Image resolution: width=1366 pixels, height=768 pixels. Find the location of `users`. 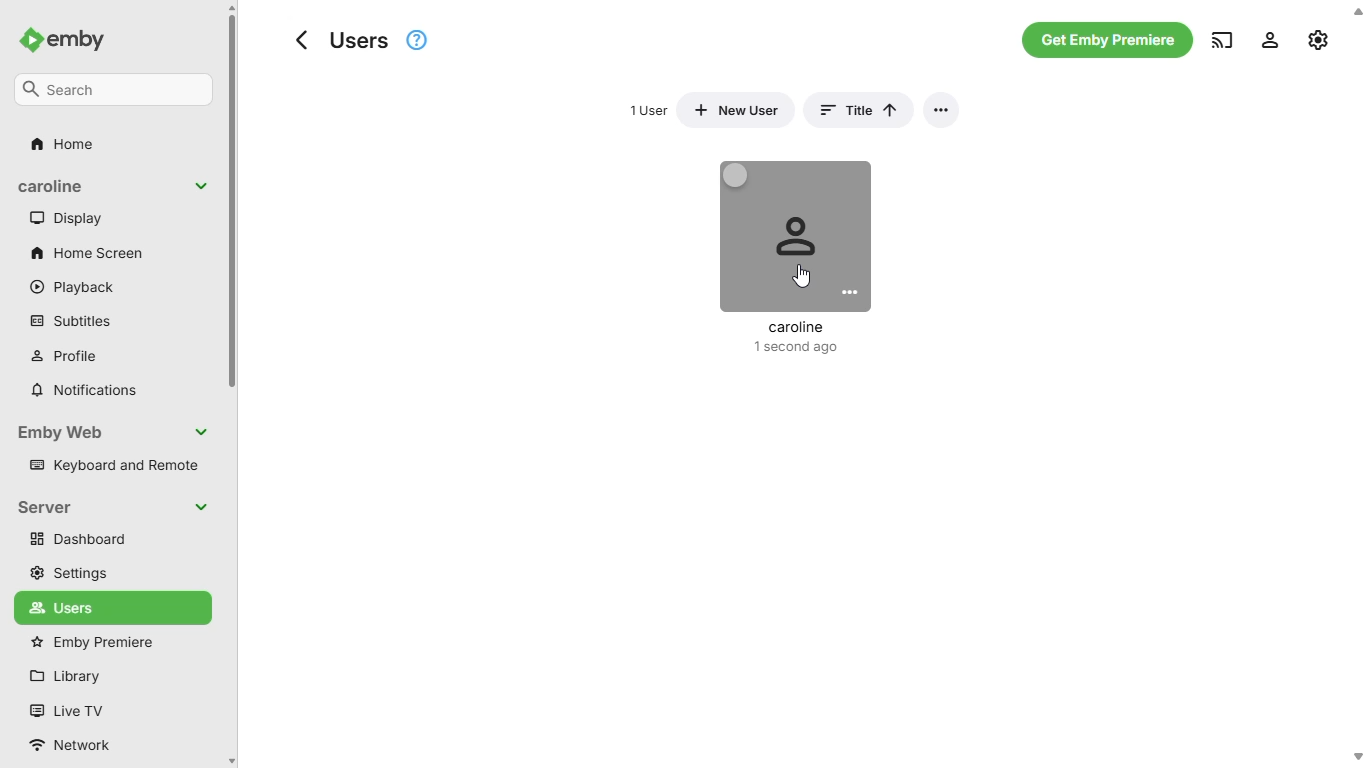

users is located at coordinates (342, 41).